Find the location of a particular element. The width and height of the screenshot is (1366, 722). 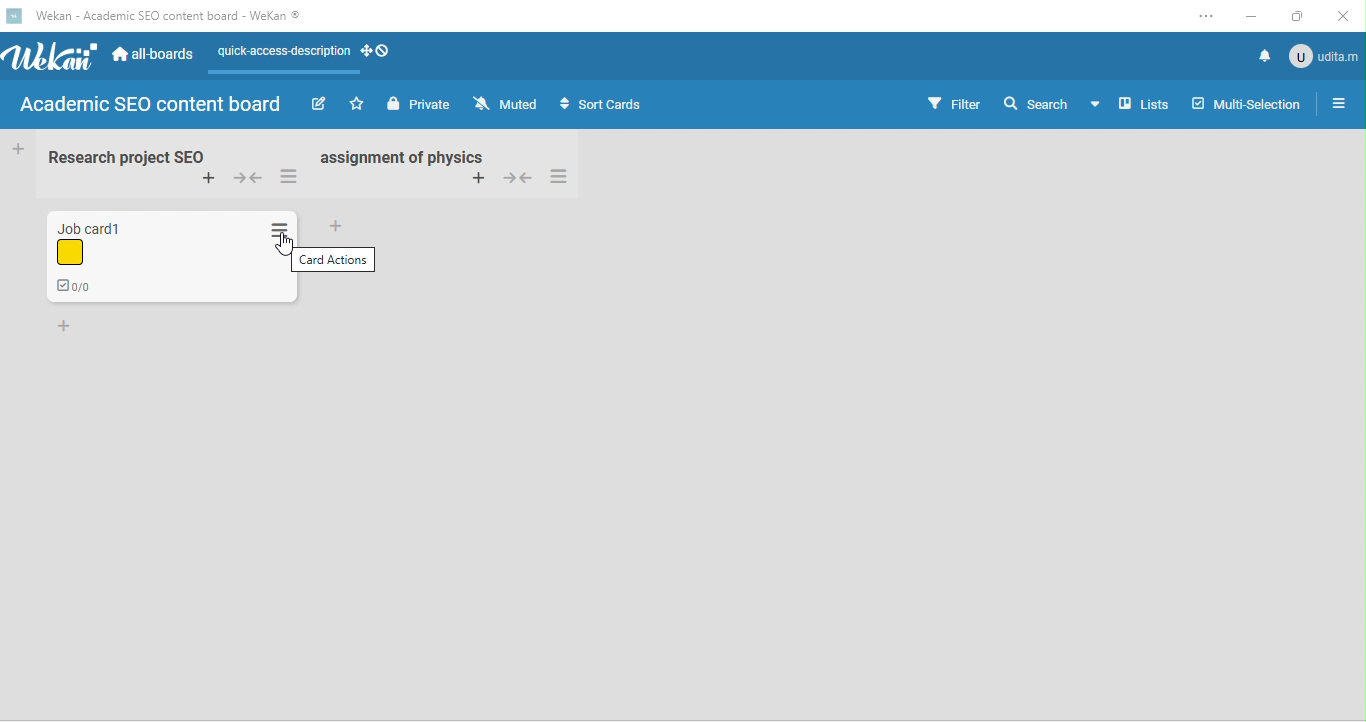

muted is located at coordinates (510, 105).